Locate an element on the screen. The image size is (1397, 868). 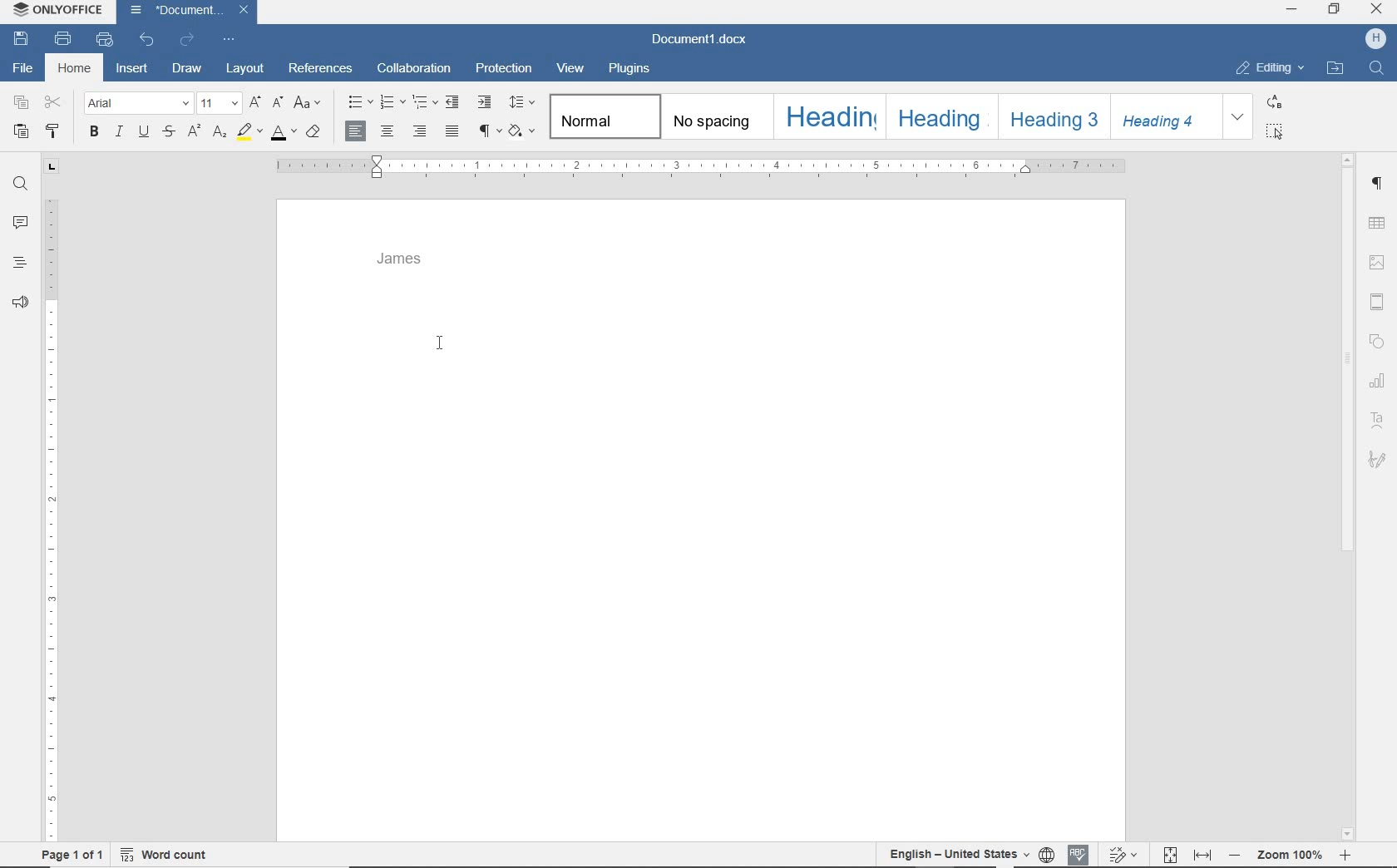
file is located at coordinates (20, 68).